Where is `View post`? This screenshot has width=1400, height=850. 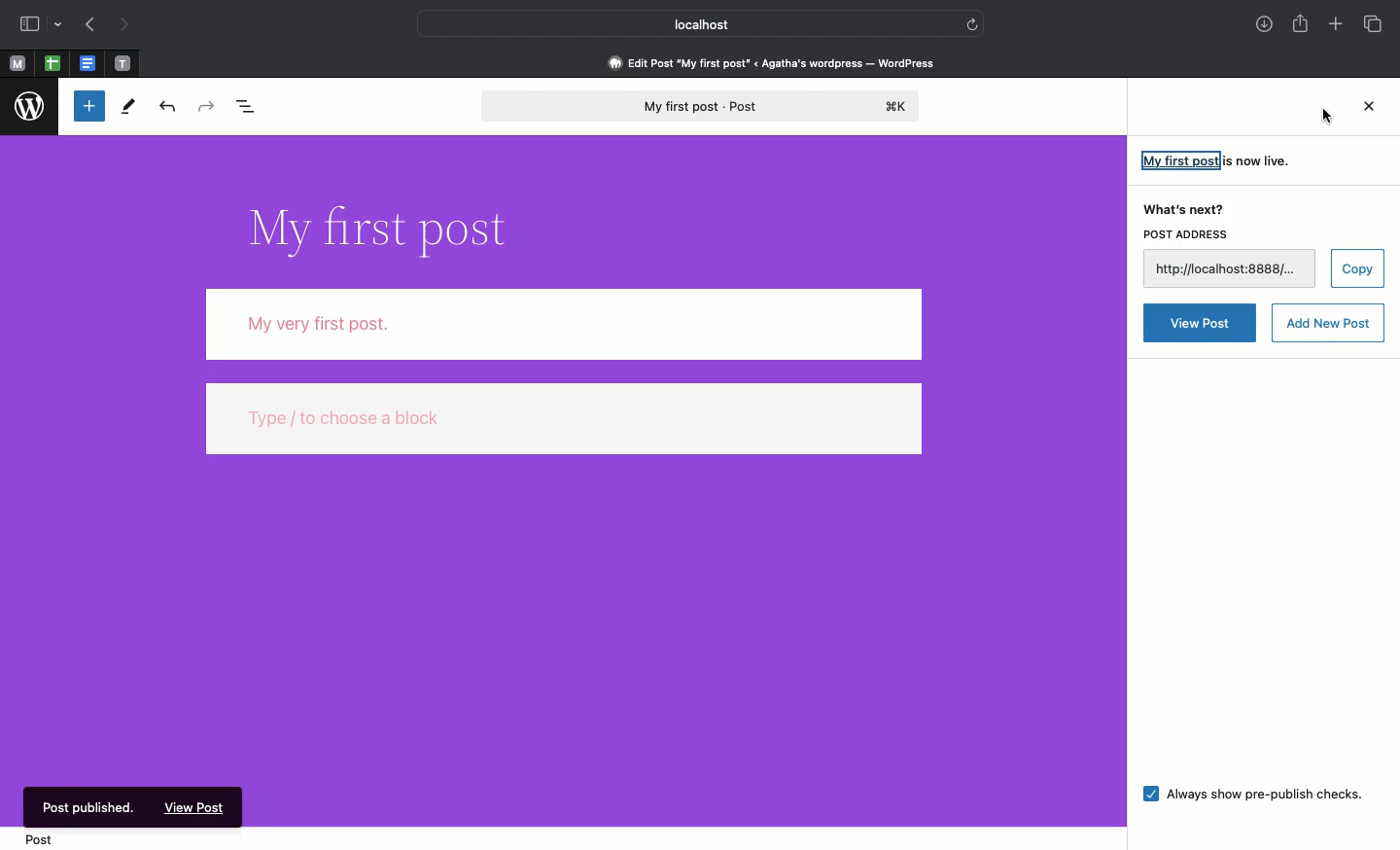
View post is located at coordinates (1199, 324).